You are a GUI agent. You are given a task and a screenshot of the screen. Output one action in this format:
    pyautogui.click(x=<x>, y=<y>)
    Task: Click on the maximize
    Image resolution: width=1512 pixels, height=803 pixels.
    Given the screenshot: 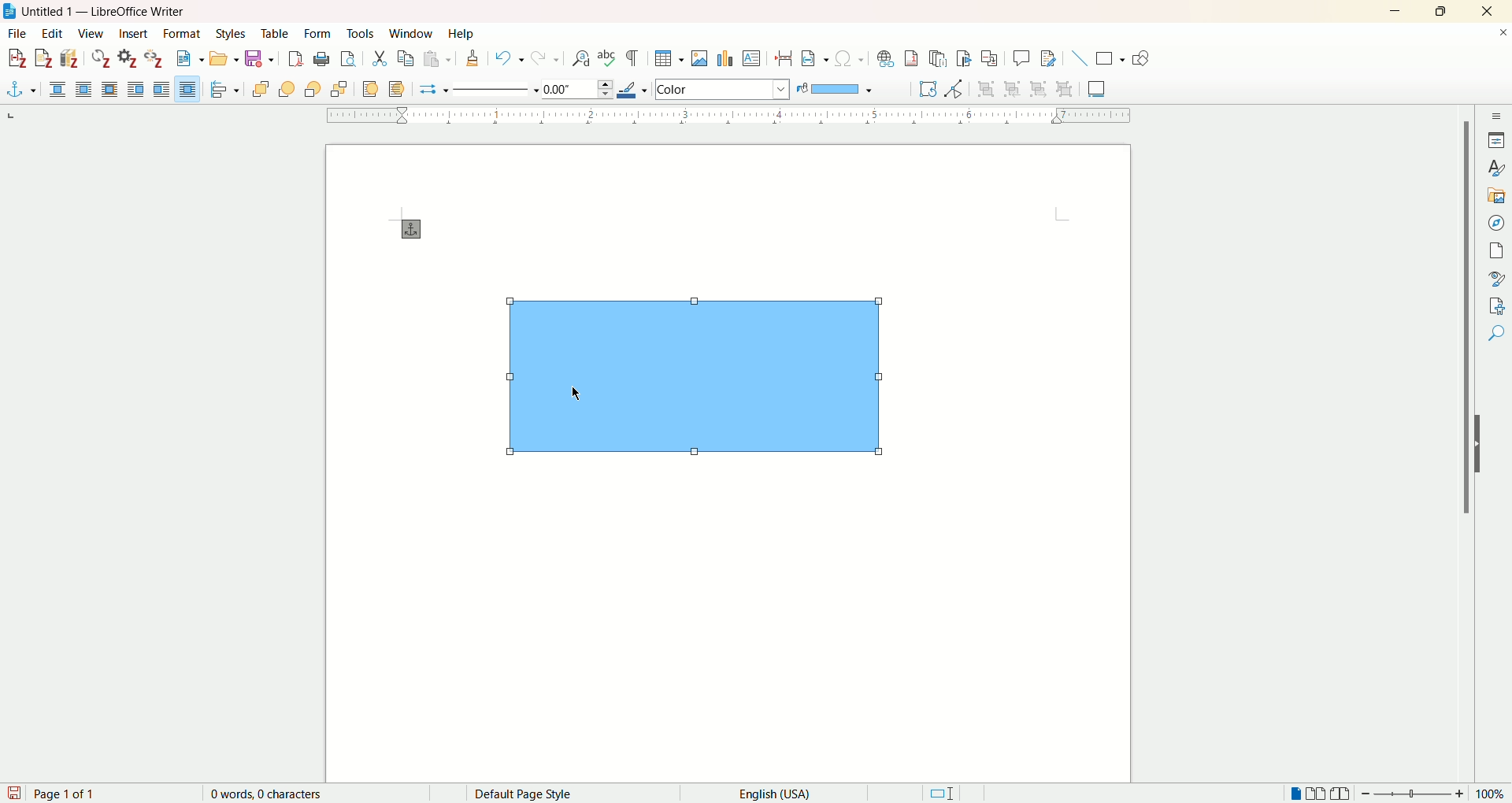 What is the action you would take?
    pyautogui.click(x=1444, y=11)
    